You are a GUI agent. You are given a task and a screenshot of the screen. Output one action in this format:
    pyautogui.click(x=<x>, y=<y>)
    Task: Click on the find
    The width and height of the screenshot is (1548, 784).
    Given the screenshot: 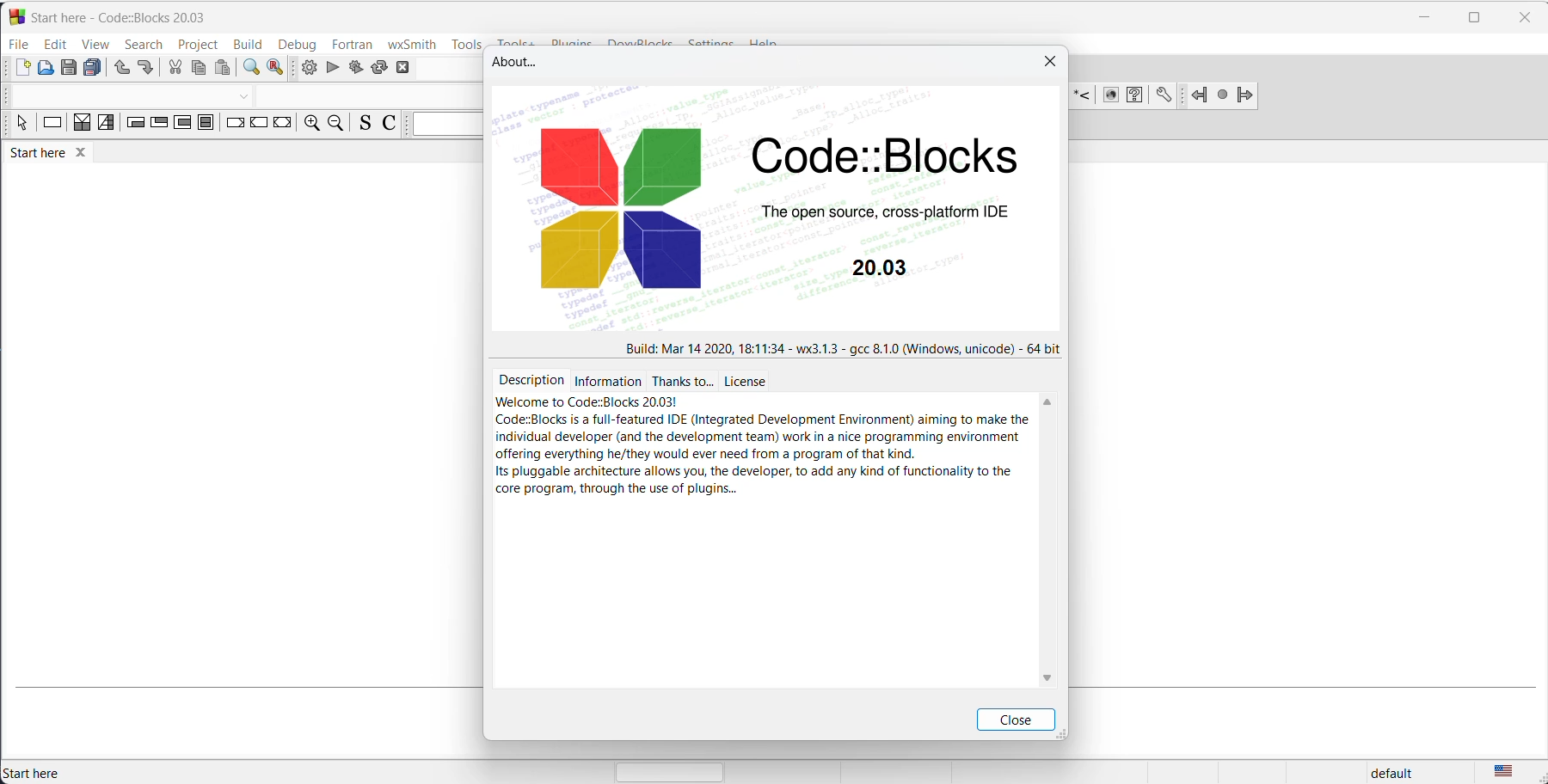 What is the action you would take?
    pyautogui.click(x=251, y=68)
    